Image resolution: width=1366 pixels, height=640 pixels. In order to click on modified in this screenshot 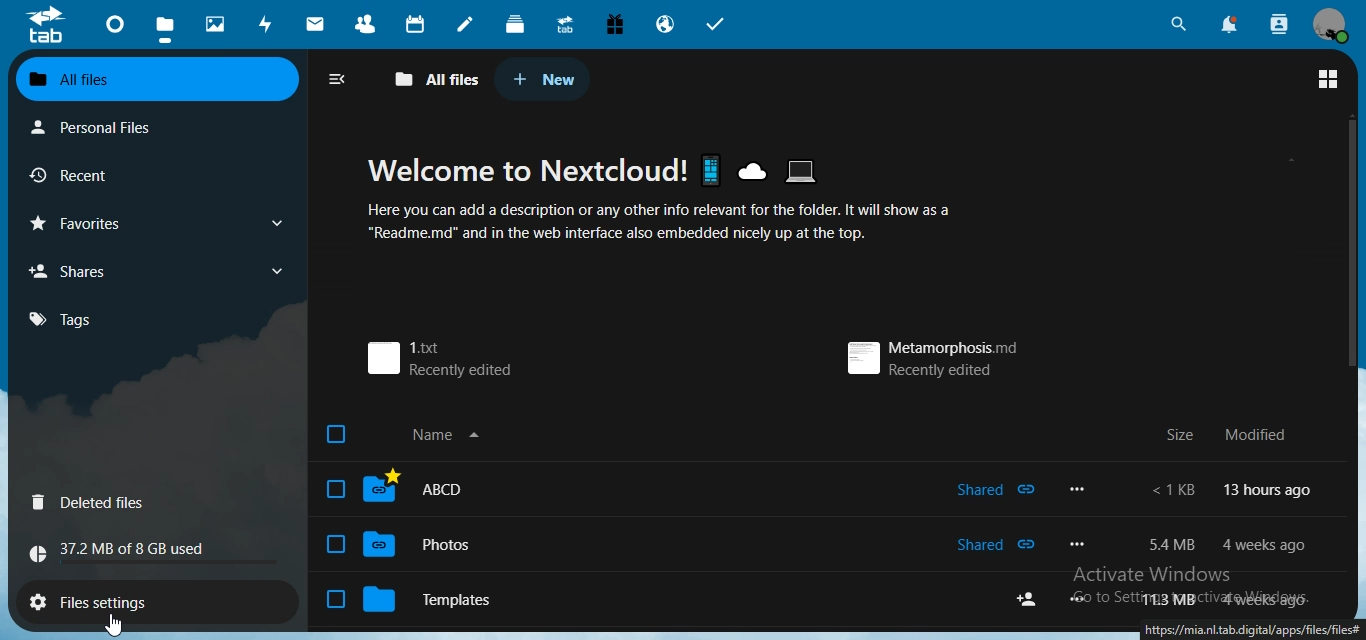, I will do `click(1255, 435)`.